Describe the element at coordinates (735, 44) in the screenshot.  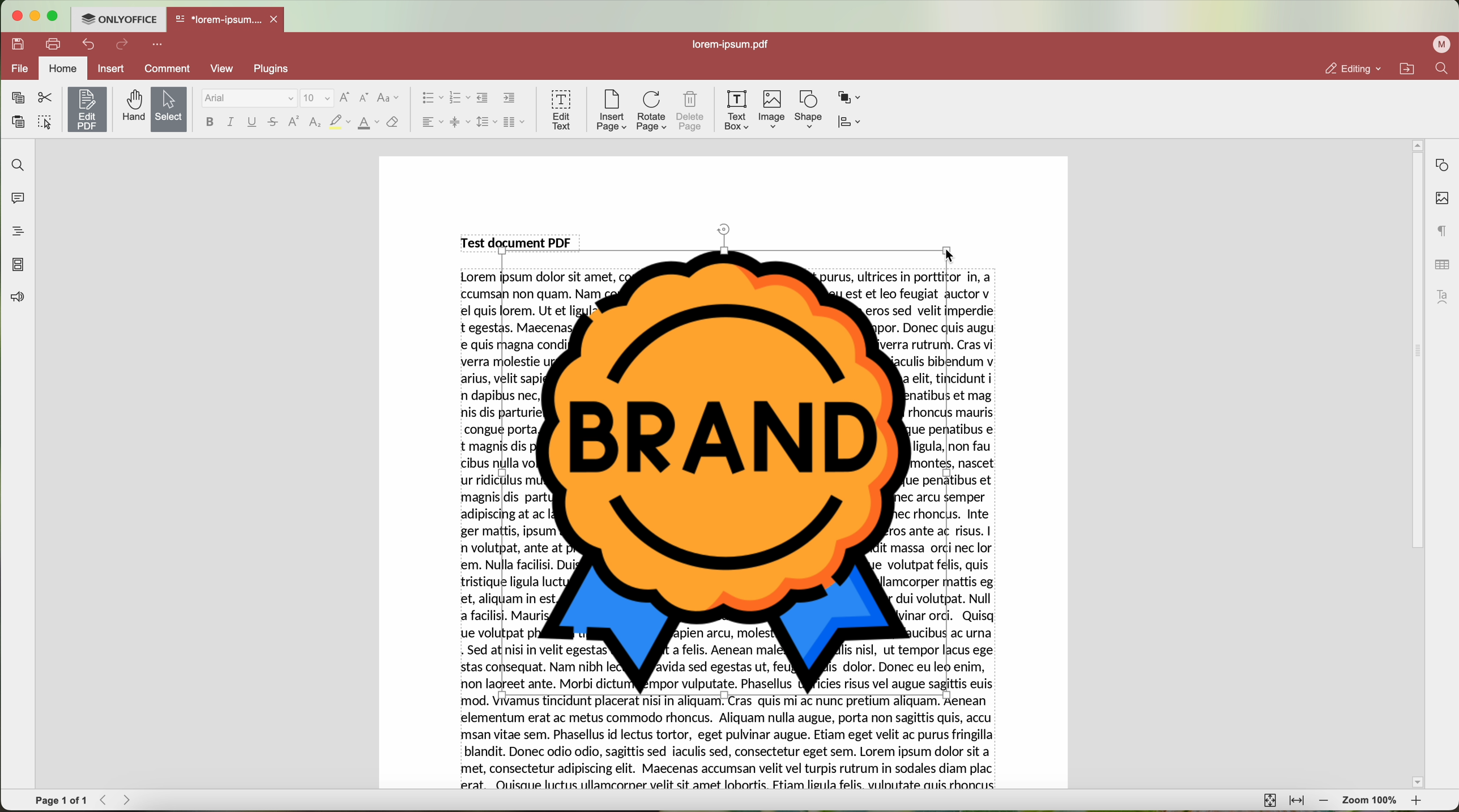
I see `lorem-ipsum.pdf` at that location.